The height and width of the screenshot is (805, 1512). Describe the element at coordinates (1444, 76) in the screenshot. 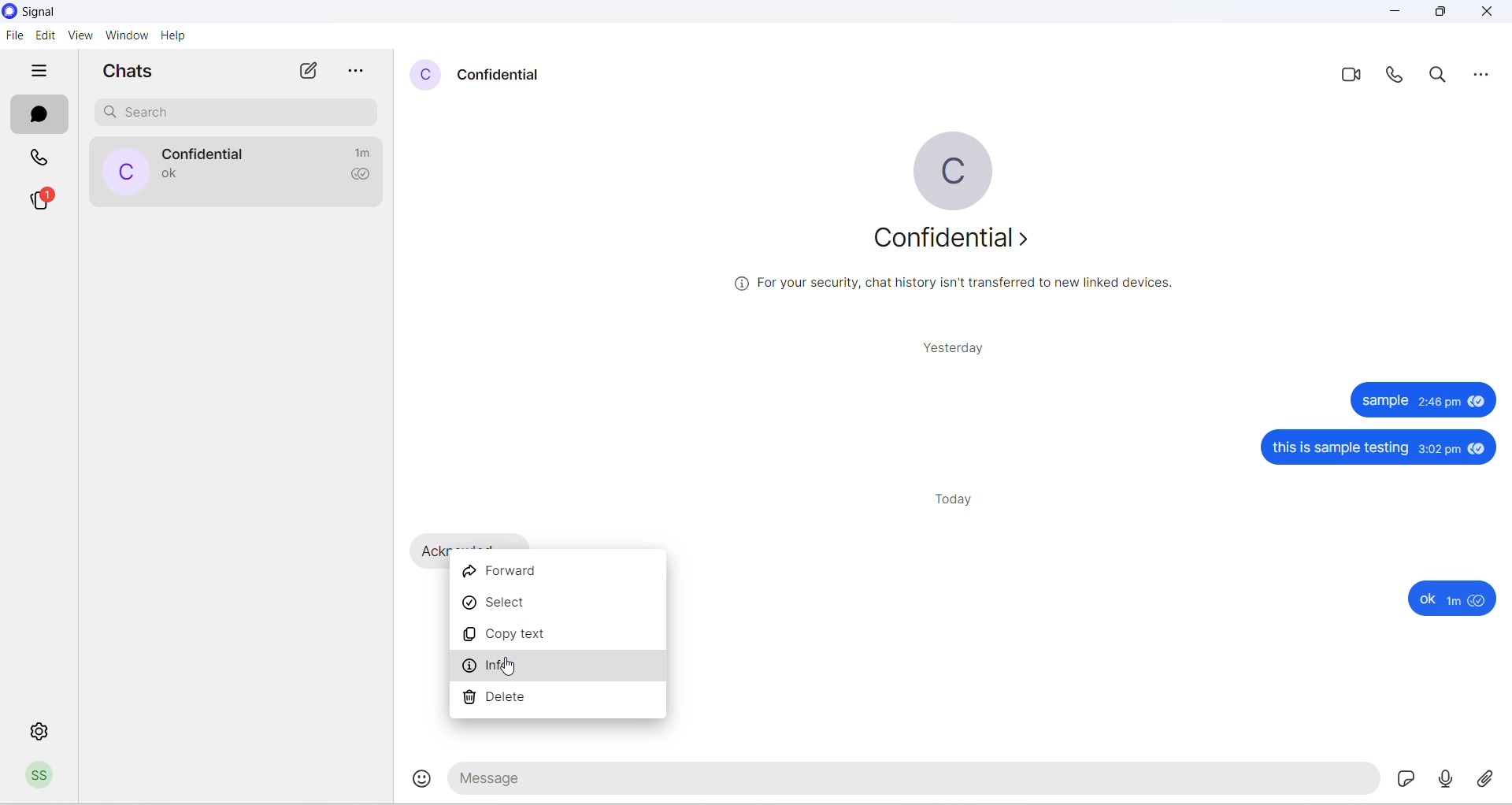

I see `search in messages` at that location.